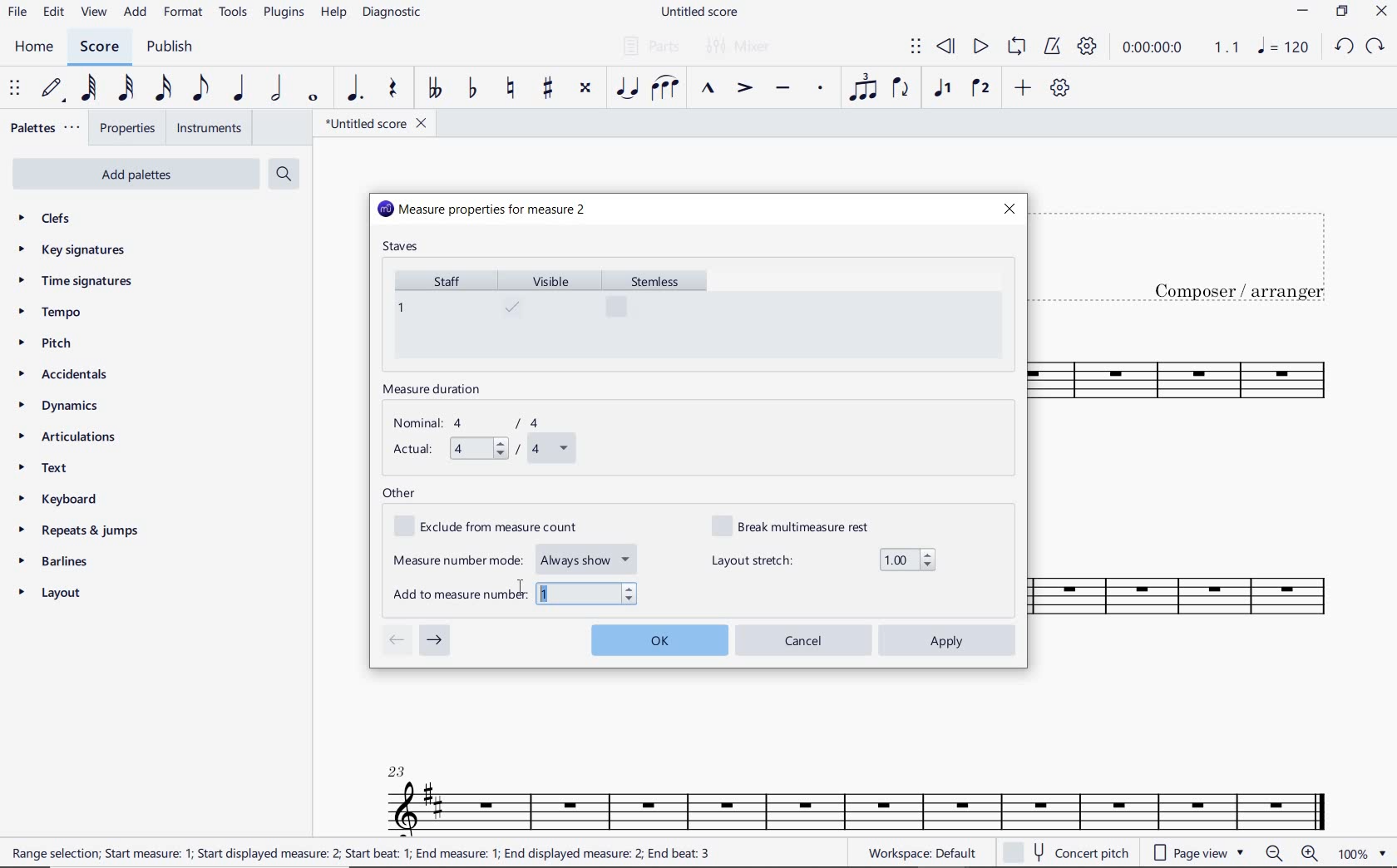  I want to click on staff, so click(441, 313).